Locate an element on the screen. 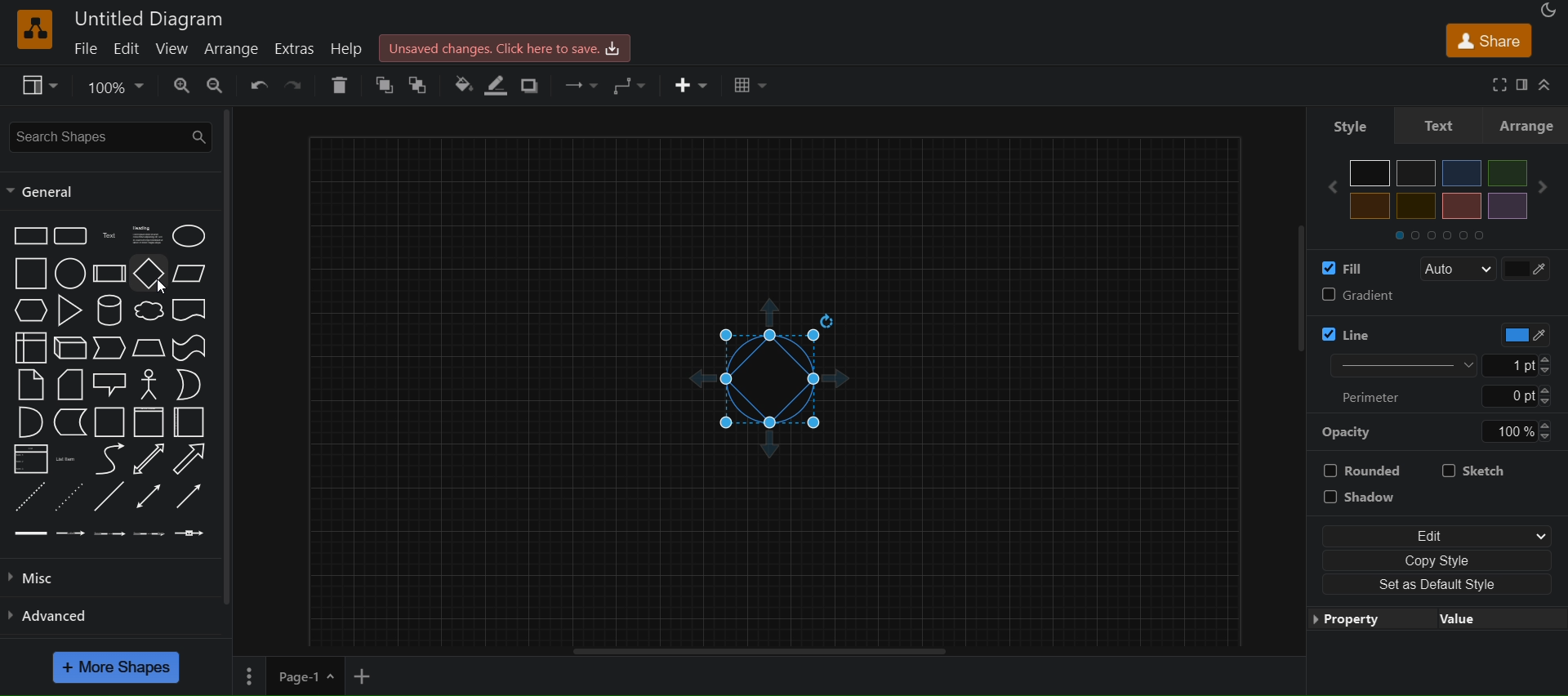 This screenshot has width=1568, height=696. list is located at coordinates (29, 461).